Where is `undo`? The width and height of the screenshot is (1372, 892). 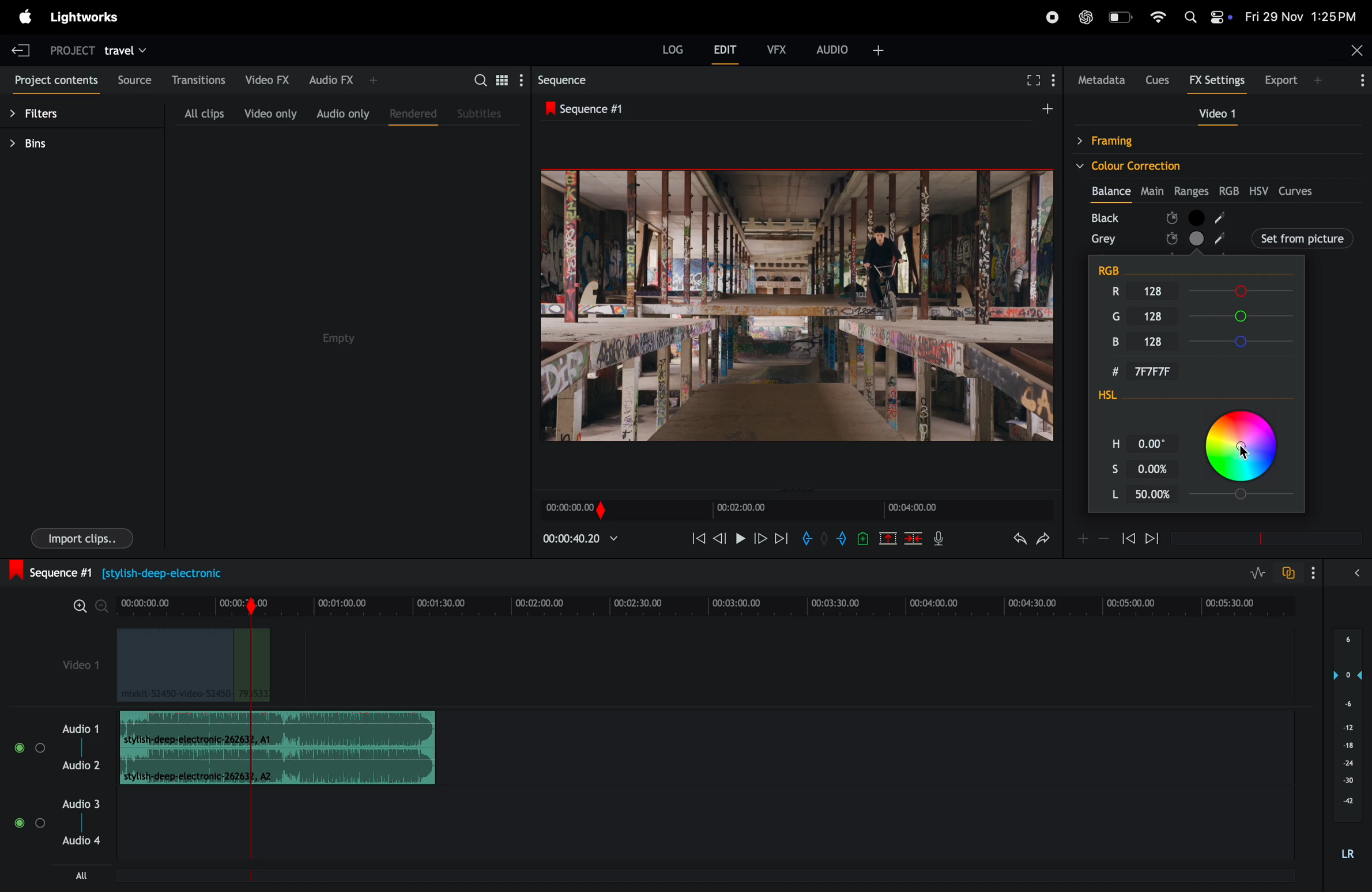 undo is located at coordinates (1016, 541).